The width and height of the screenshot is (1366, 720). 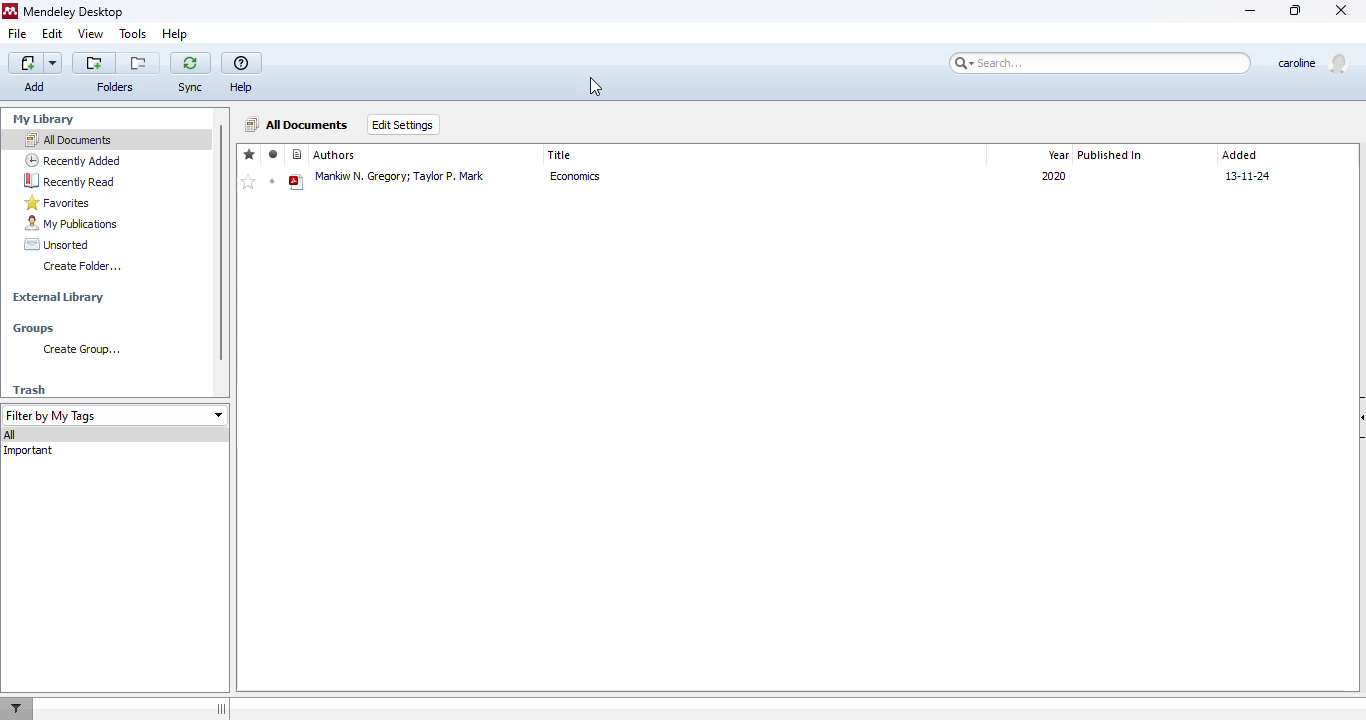 I want to click on remove the current folder, so click(x=138, y=63).